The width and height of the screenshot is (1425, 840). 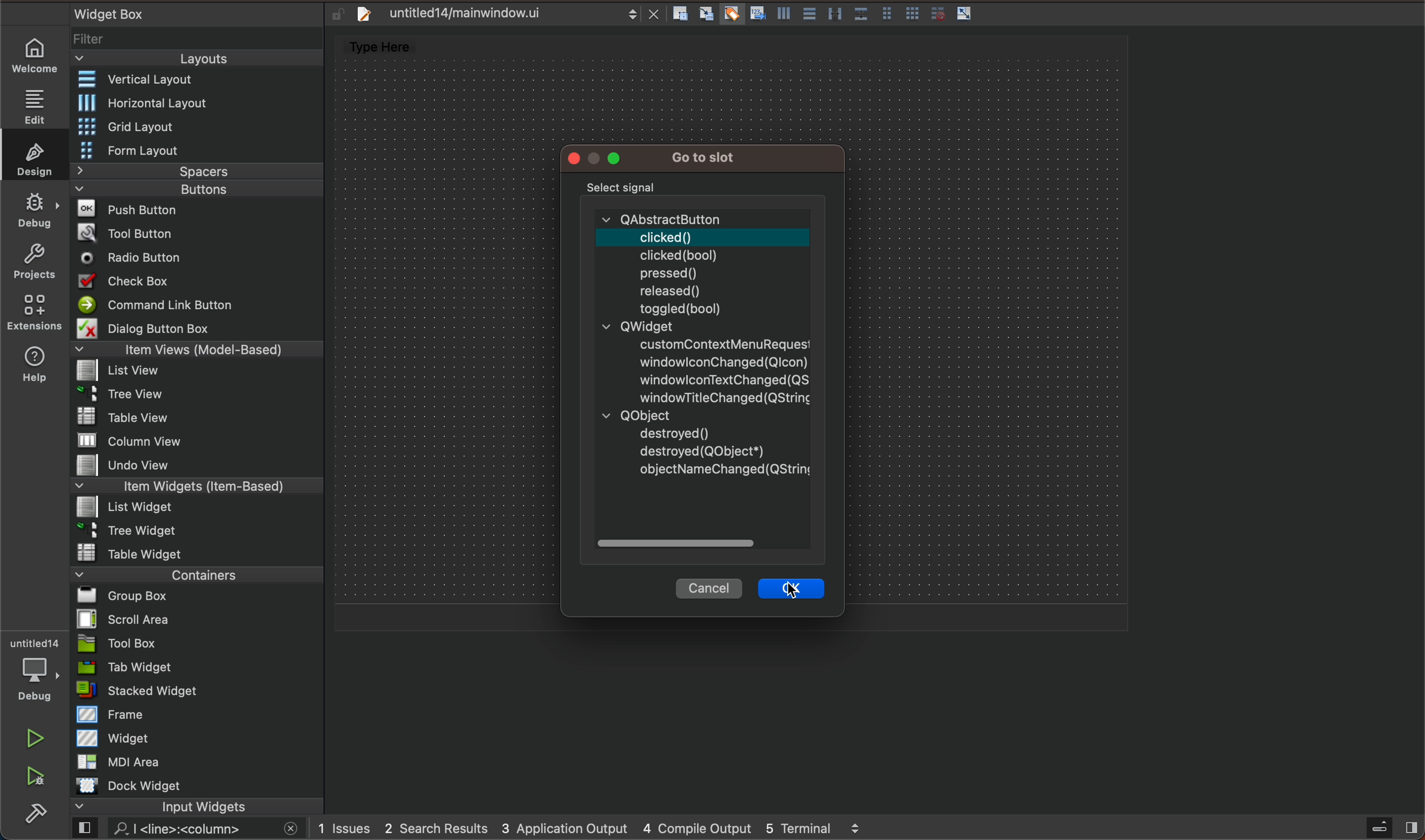 I want to click on , so click(x=810, y=14).